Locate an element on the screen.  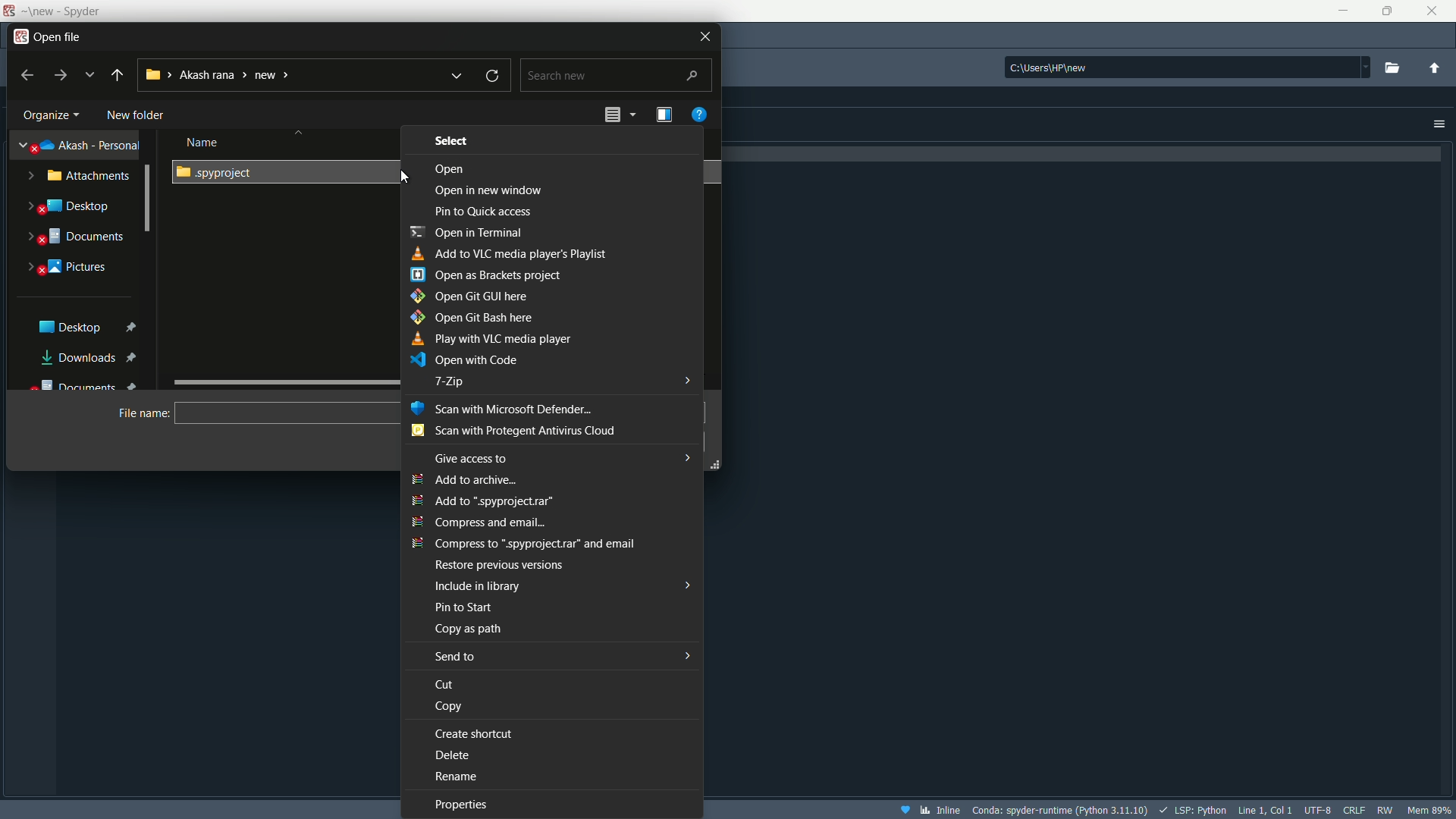
Open in terminal is located at coordinates (478, 233).